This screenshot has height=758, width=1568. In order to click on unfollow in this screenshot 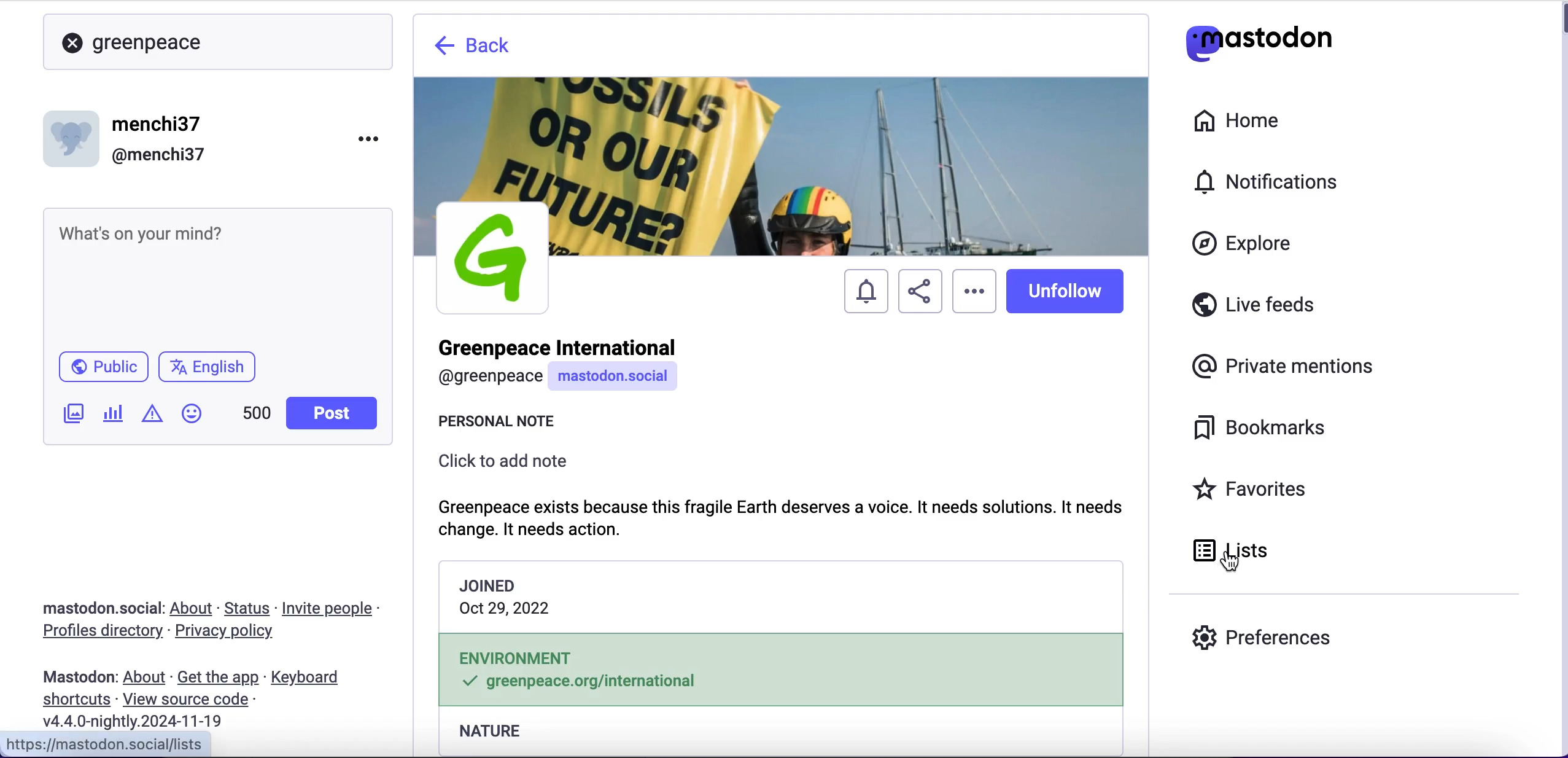, I will do `click(1069, 293)`.